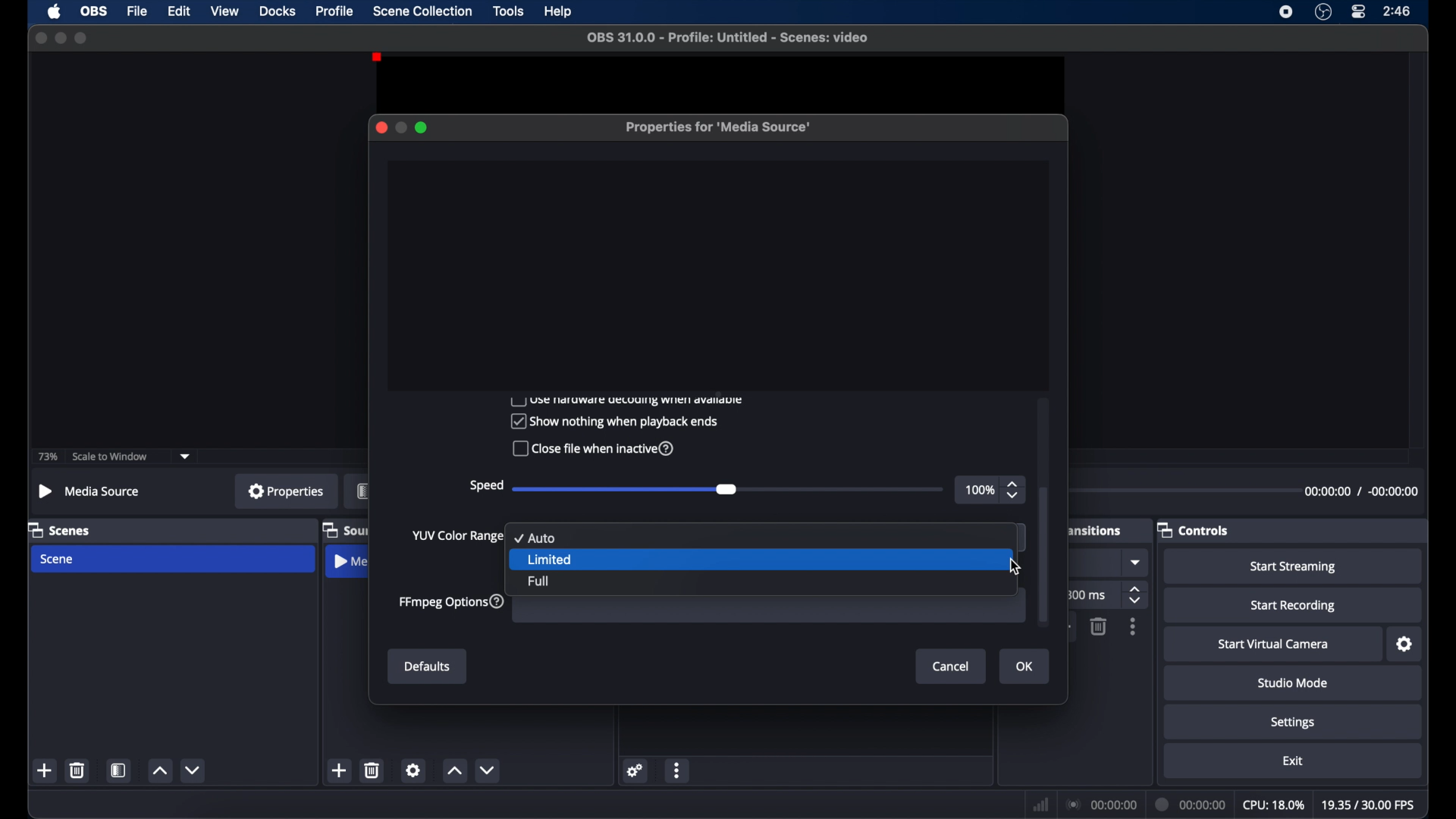 The width and height of the screenshot is (1456, 819). What do you see at coordinates (447, 601) in the screenshot?
I see `ffmpeg options` at bounding box center [447, 601].